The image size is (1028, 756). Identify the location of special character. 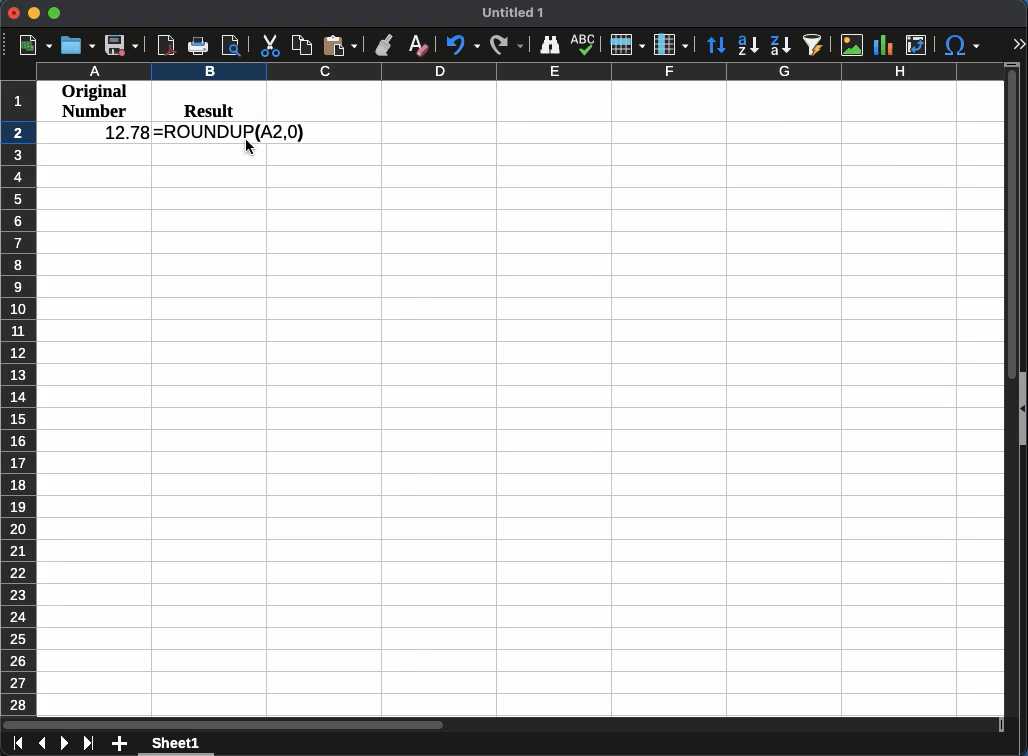
(960, 47).